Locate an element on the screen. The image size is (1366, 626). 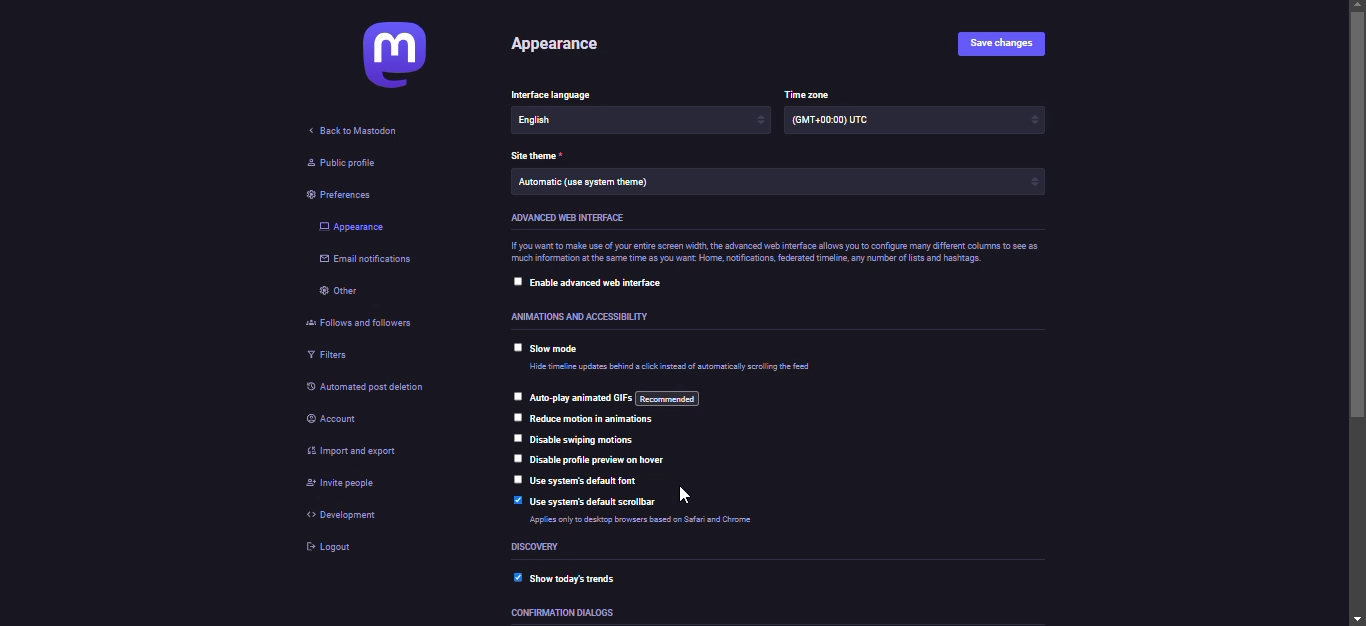
cursor is located at coordinates (687, 491).